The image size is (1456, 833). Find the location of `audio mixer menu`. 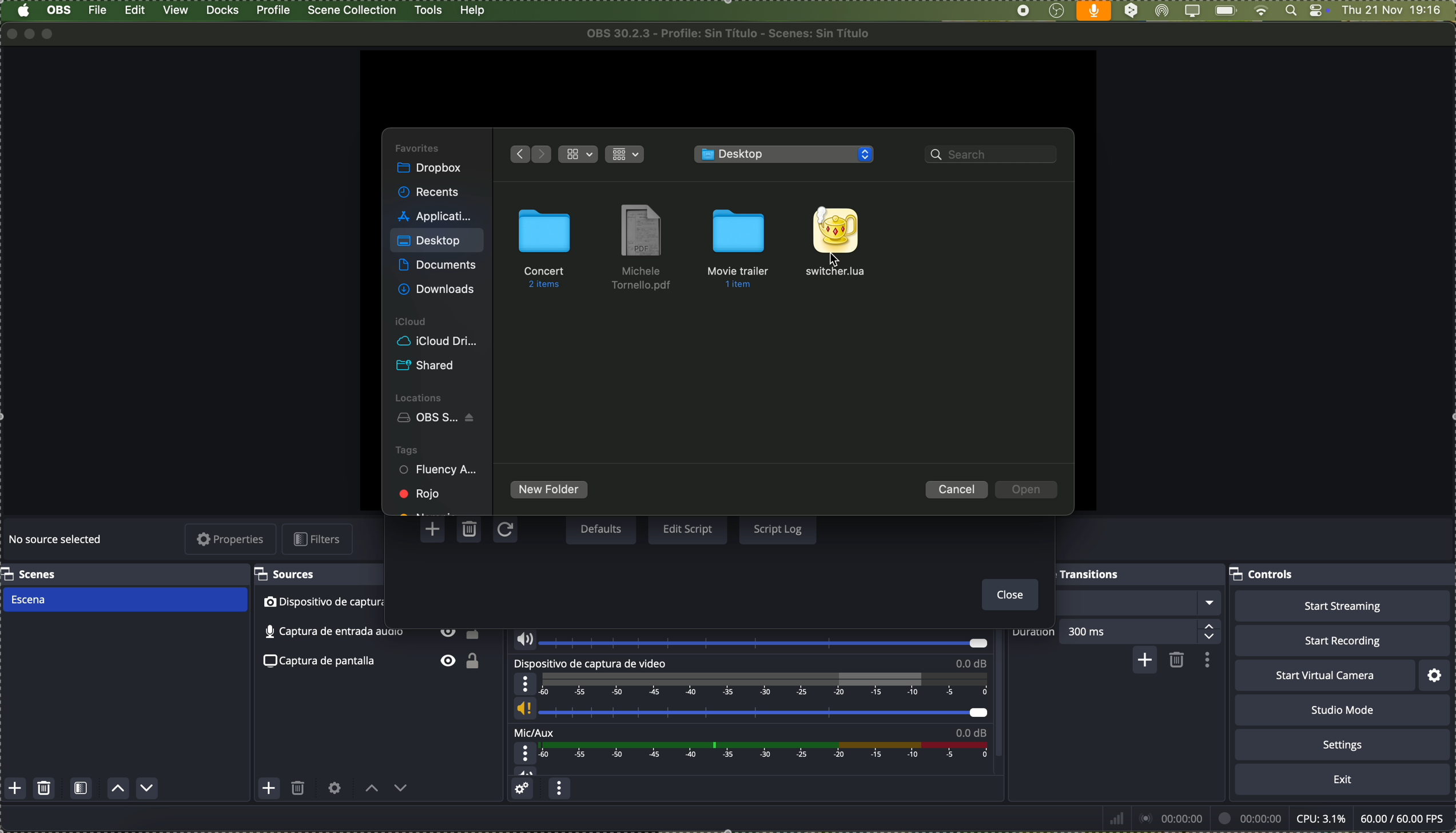

audio mixer menu is located at coordinates (559, 790).